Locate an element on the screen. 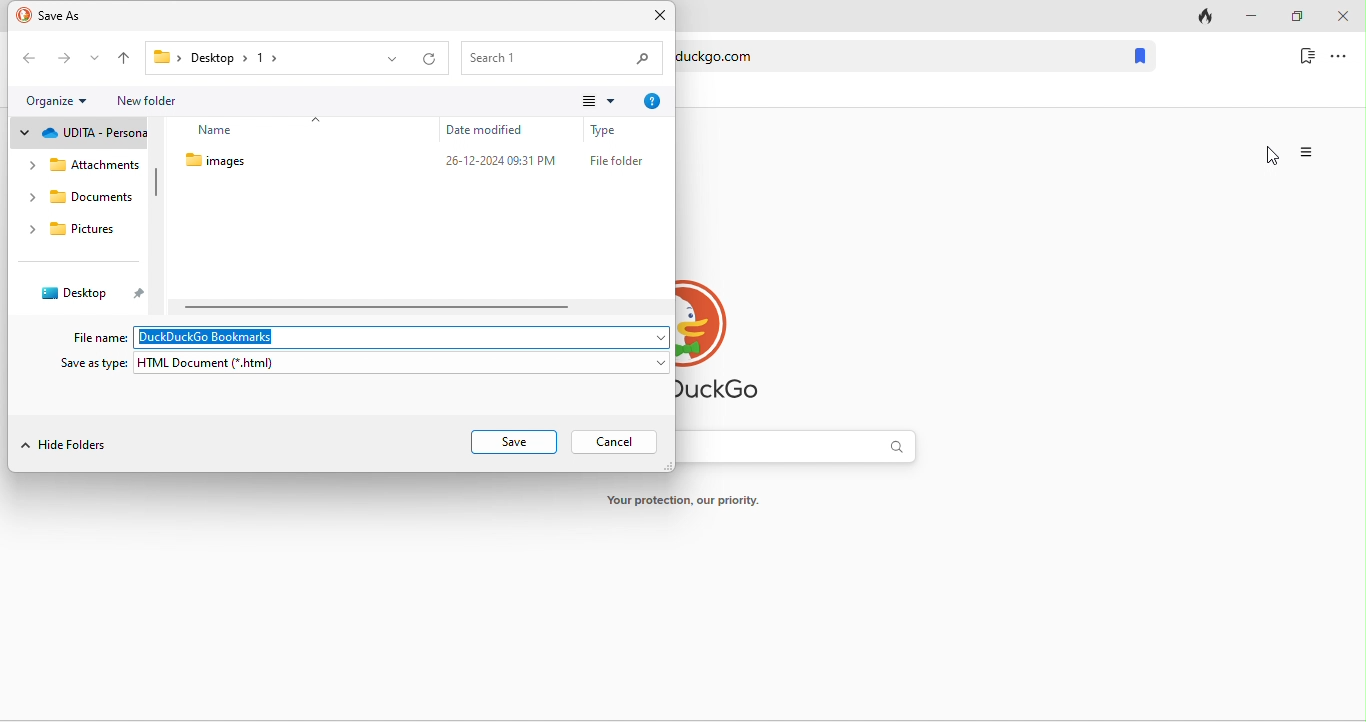  cursor is located at coordinates (1273, 154).